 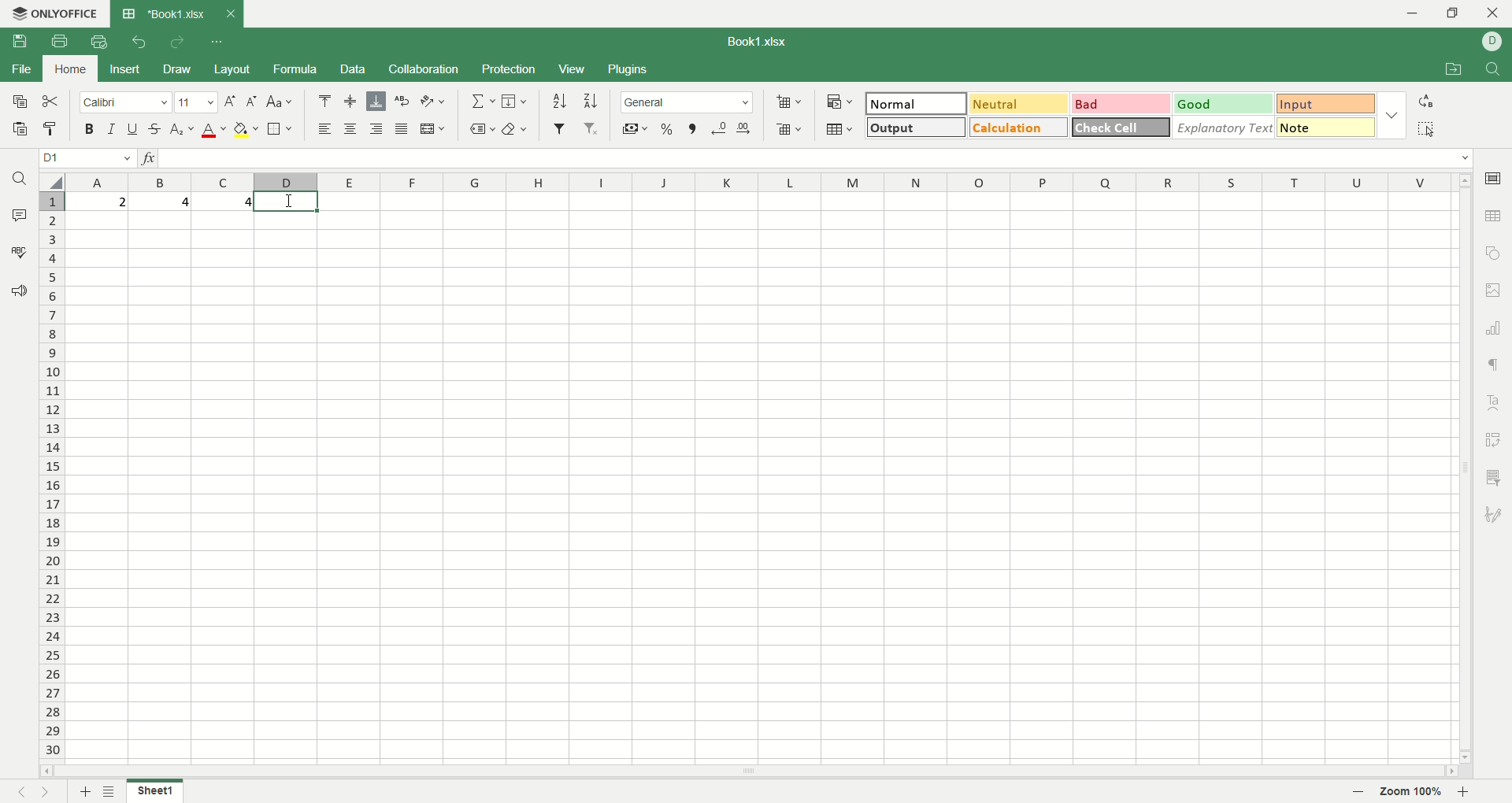 I want to click on cell selected, so click(x=291, y=204).